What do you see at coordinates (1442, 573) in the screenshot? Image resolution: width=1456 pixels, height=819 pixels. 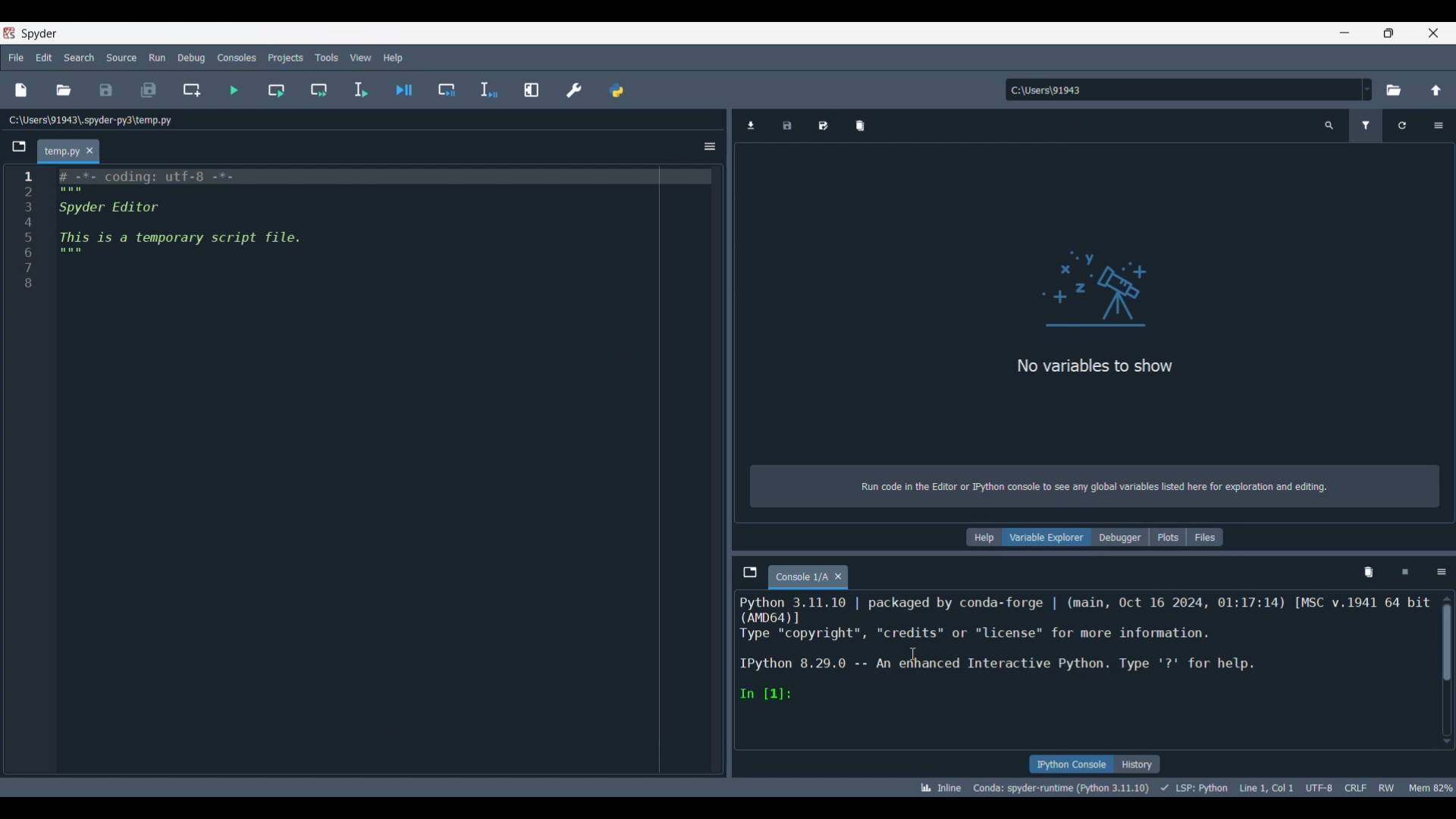 I see `Options` at bounding box center [1442, 573].